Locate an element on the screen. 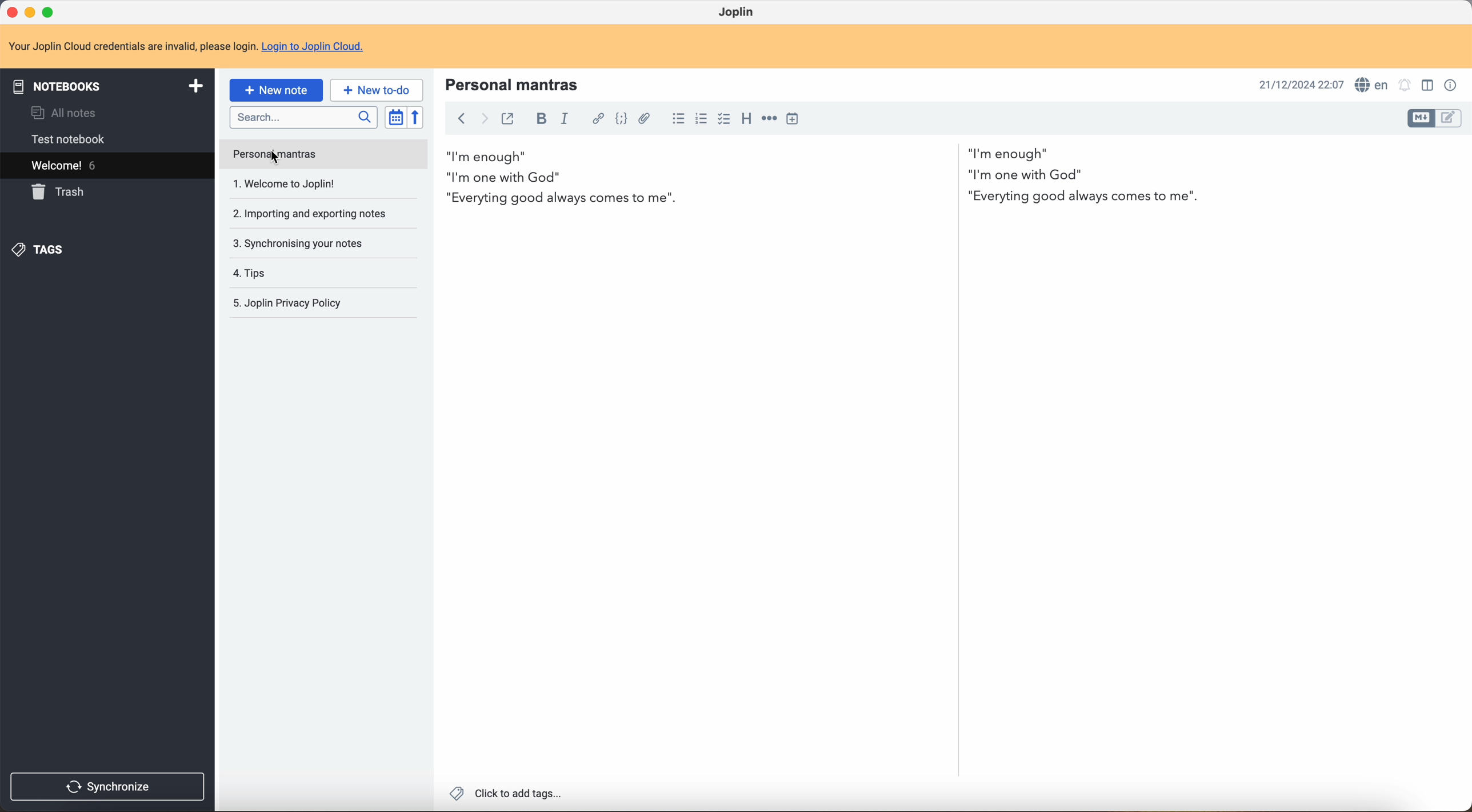 This screenshot has height=812, width=1472. notebooks is located at coordinates (109, 87).